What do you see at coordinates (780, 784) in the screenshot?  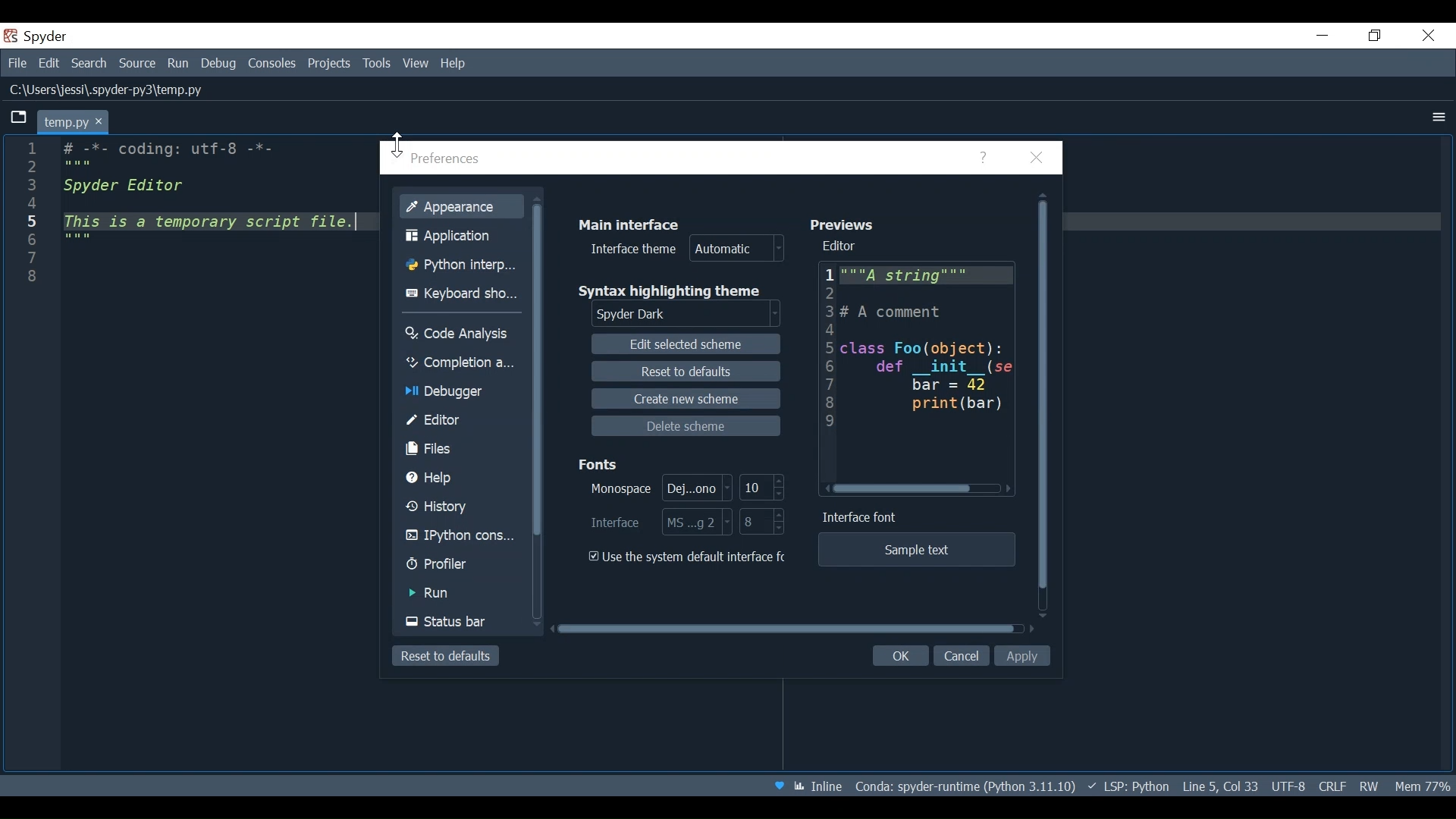 I see `Help Spyder` at bounding box center [780, 784].